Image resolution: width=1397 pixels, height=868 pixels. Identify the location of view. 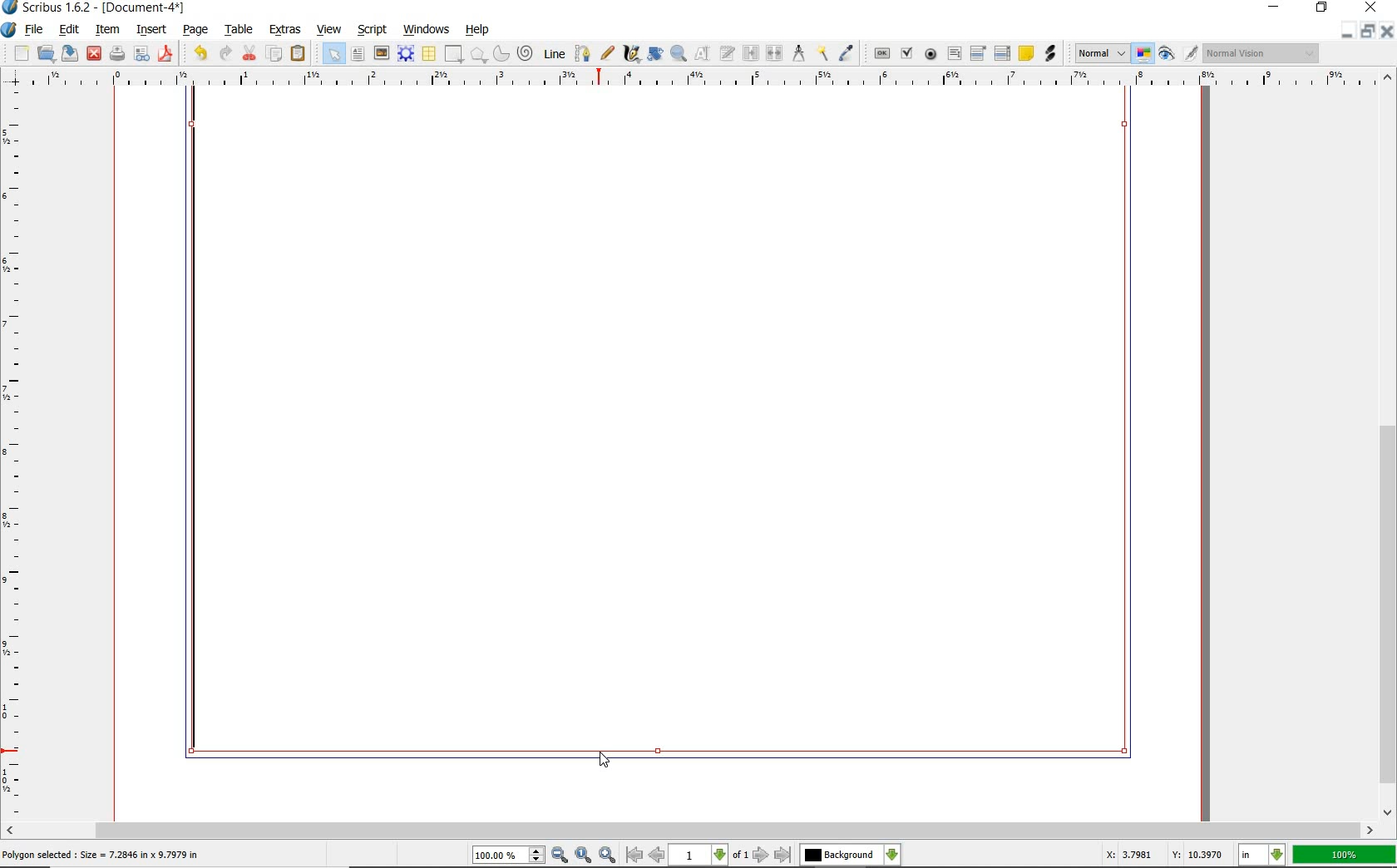
(329, 30).